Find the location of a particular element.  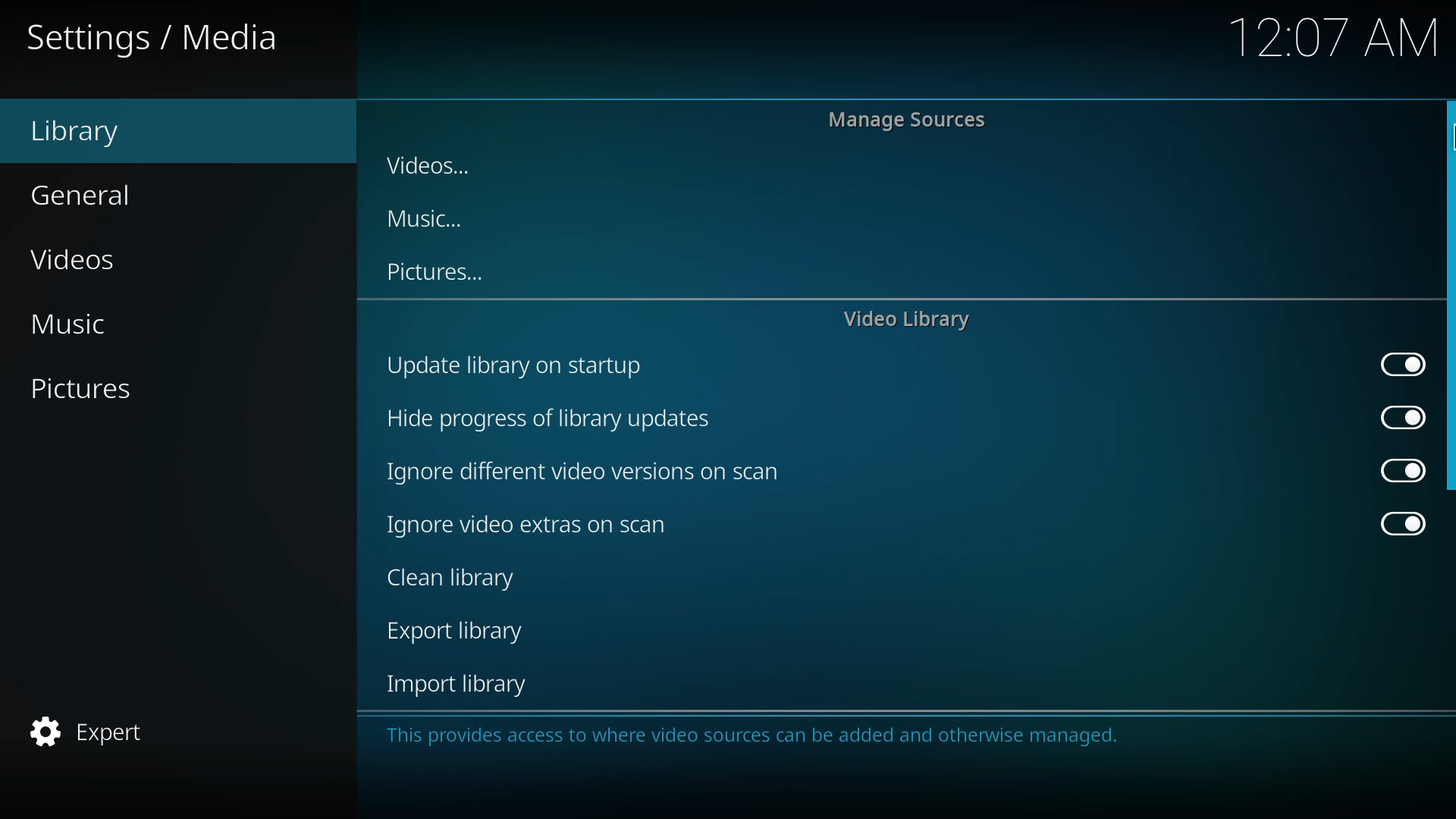

pictures is located at coordinates (78, 388).